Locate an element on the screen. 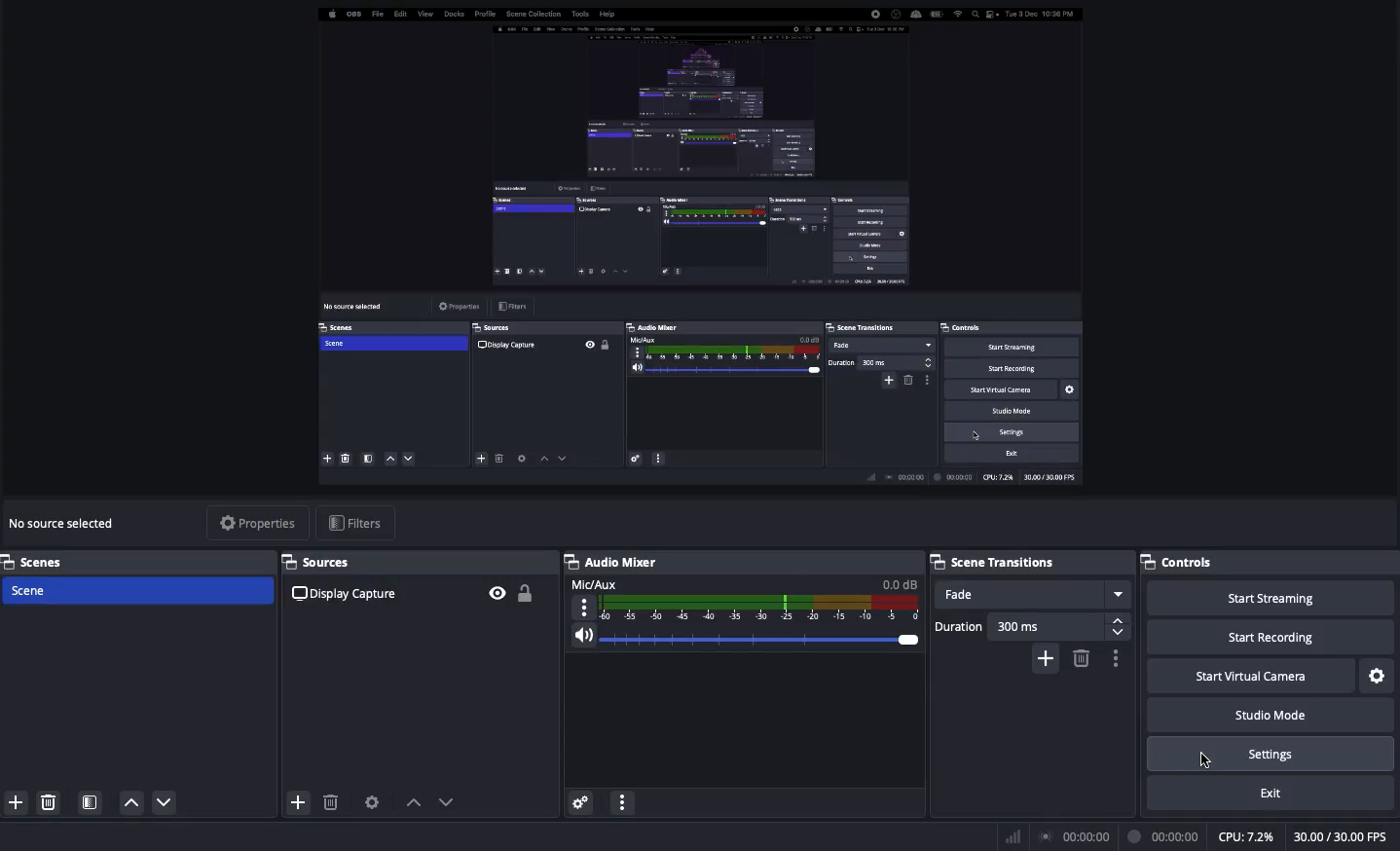 The image size is (1400, 851). Advanced audio preferences is located at coordinates (580, 801).